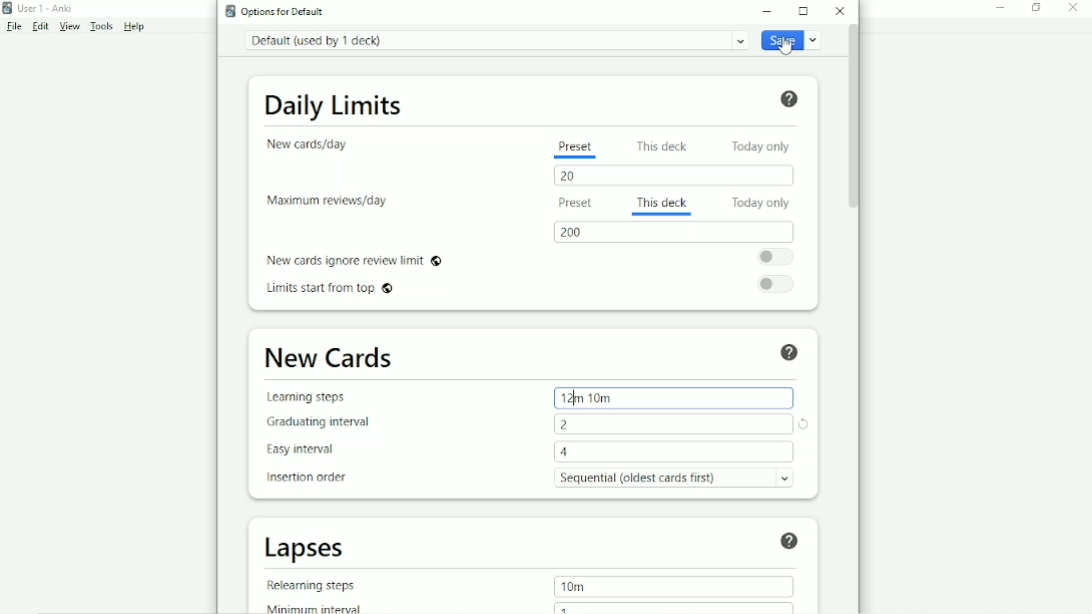 The height and width of the screenshot is (614, 1092). What do you see at coordinates (1076, 8) in the screenshot?
I see `Close` at bounding box center [1076, 8].